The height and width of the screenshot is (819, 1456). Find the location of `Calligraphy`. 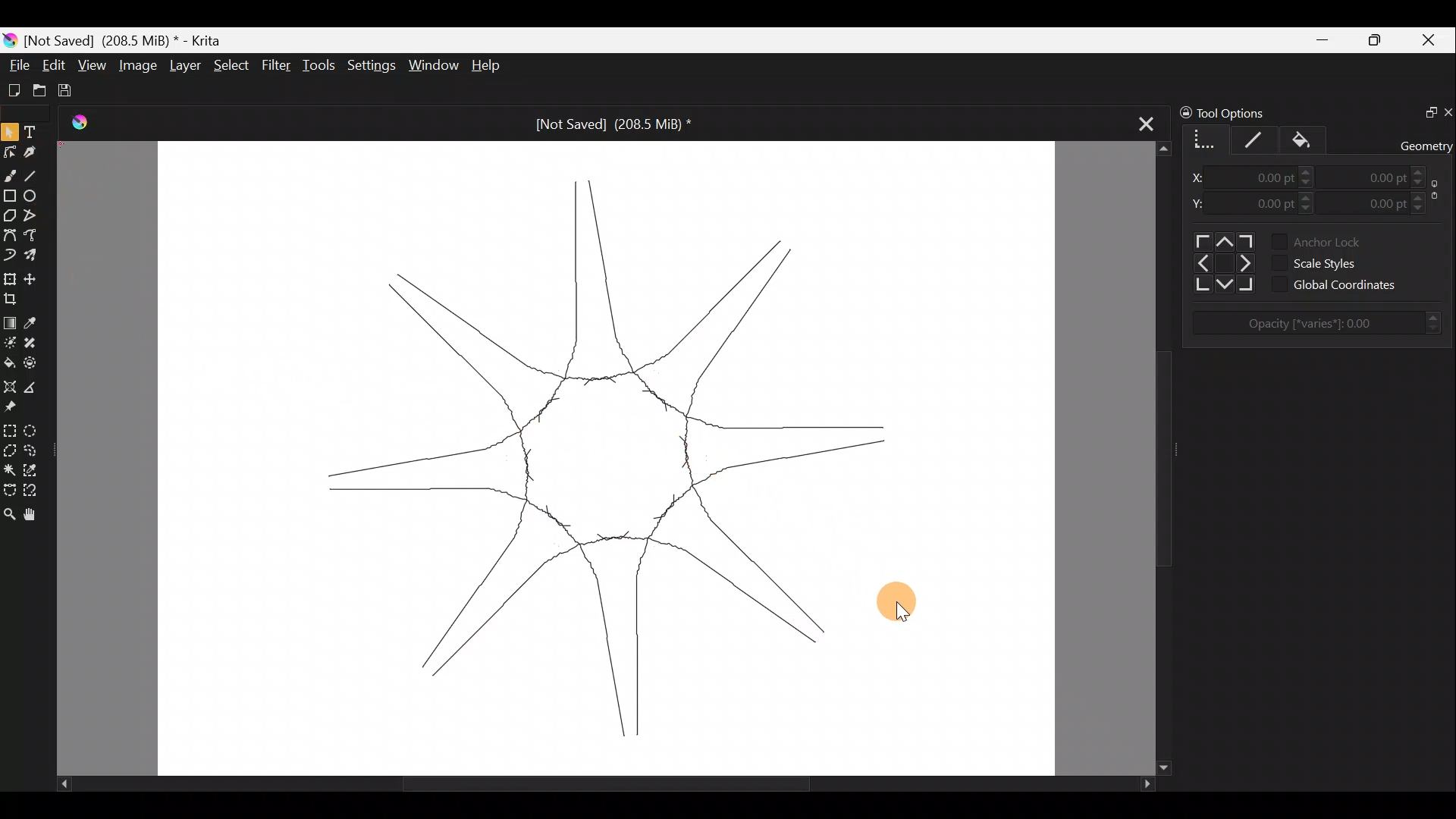

Calligraphy is located at coordinates (36, 149).